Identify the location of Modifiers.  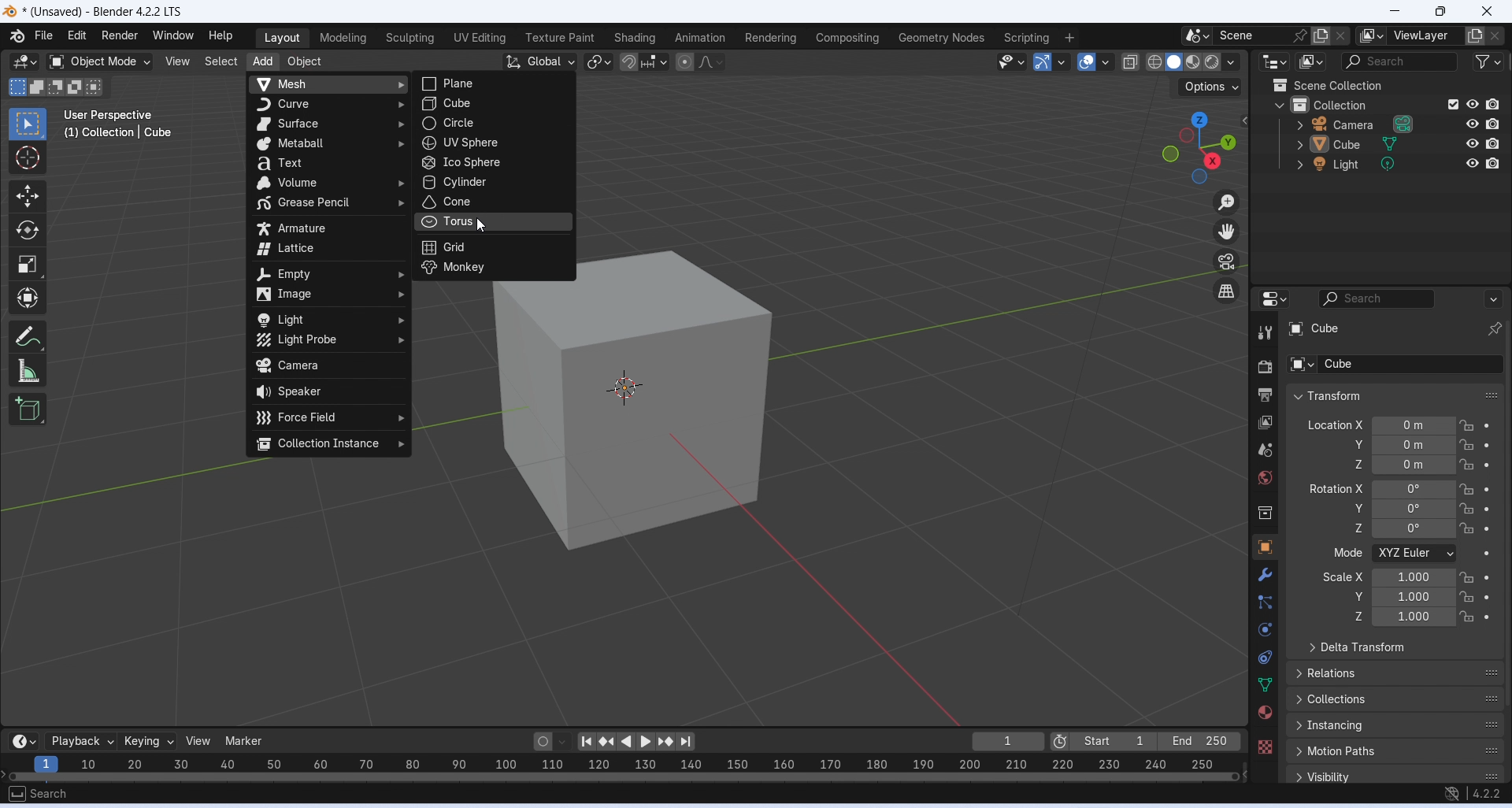
(1268, 574).